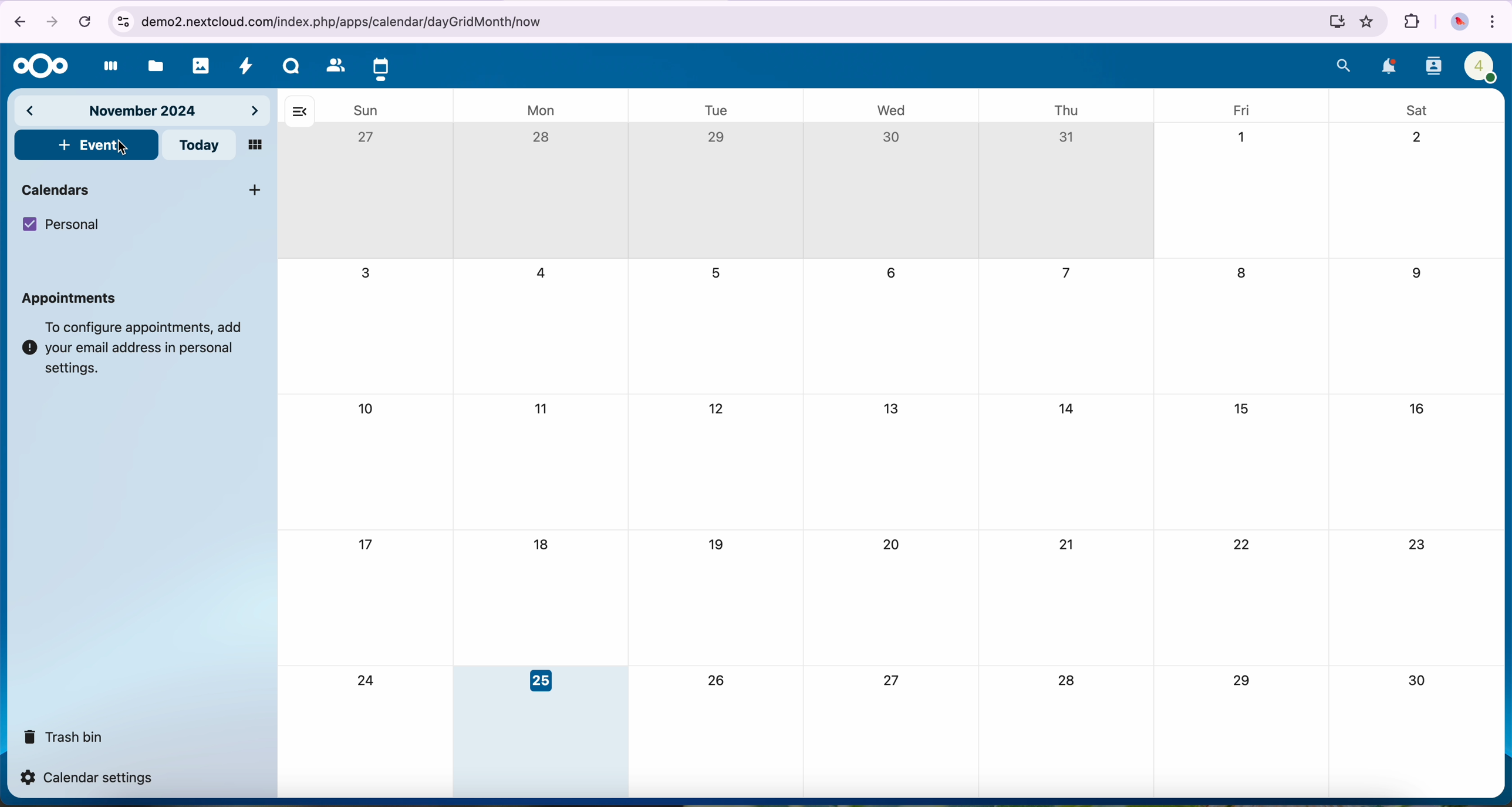 The width and height of the screenshot is (1512, 807). I want to click on 31, so click(1066, 139).